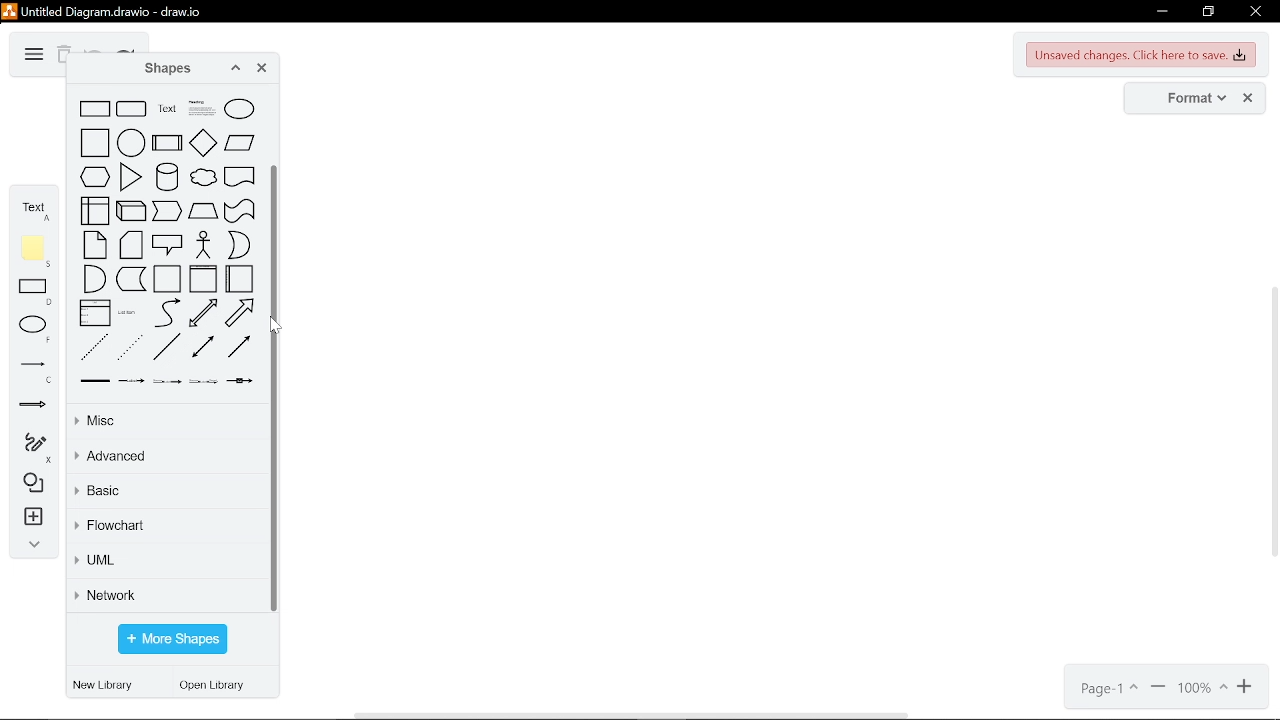 The image size is (1280, 720). What do you see at coordinates (1142, 55) in the screenshot?
I see `unsaved changes. Click here to save` at bounding box center [1142, 55].